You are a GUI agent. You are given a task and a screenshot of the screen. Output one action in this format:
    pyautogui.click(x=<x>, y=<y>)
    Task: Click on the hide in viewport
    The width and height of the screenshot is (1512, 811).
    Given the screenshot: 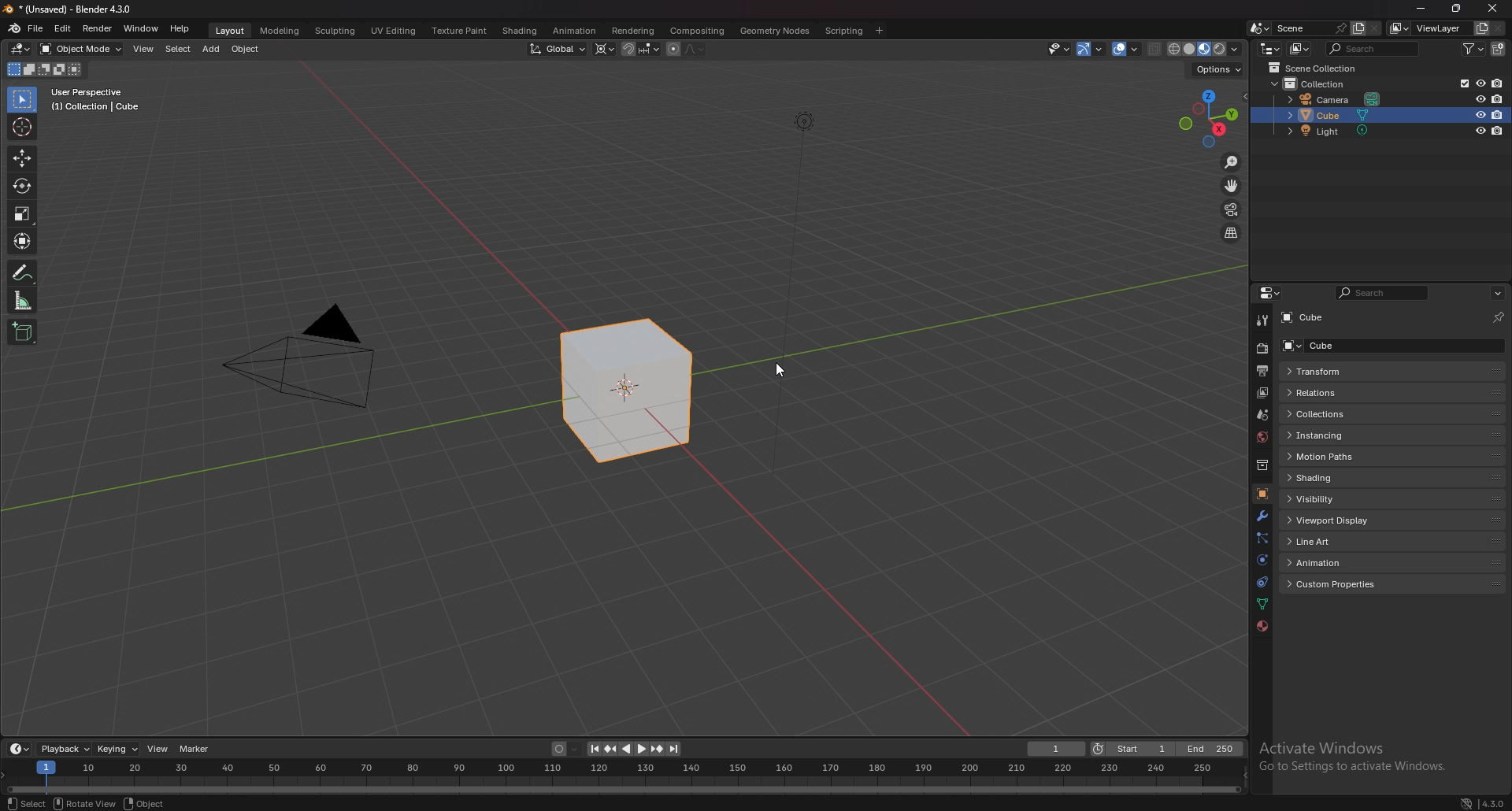 What is the action you would take?
    pyautogui.click(x=1480, y=114)
    